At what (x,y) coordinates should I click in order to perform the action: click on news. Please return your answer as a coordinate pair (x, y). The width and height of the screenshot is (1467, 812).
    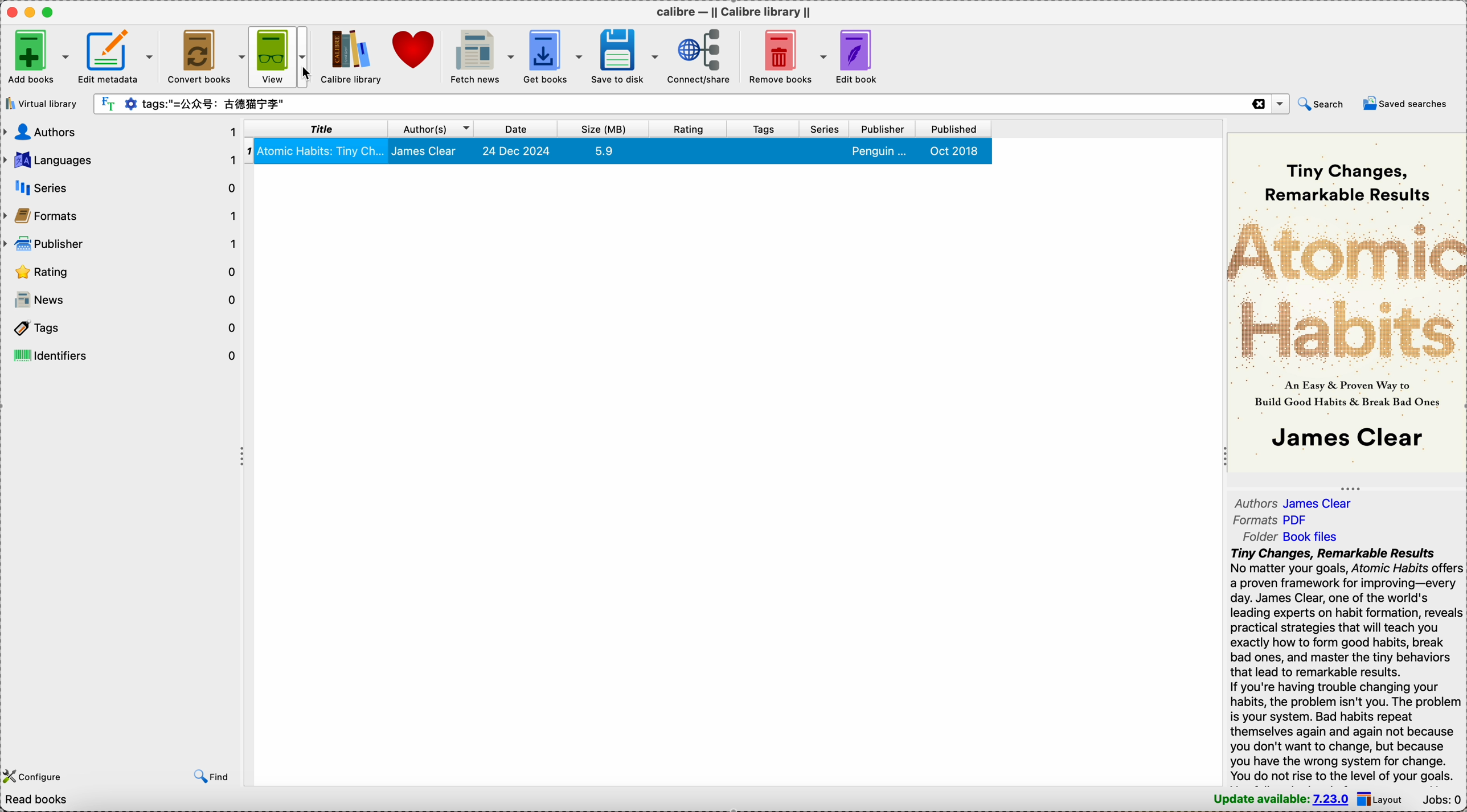
    Looking at the image, I should click on (122, 300).